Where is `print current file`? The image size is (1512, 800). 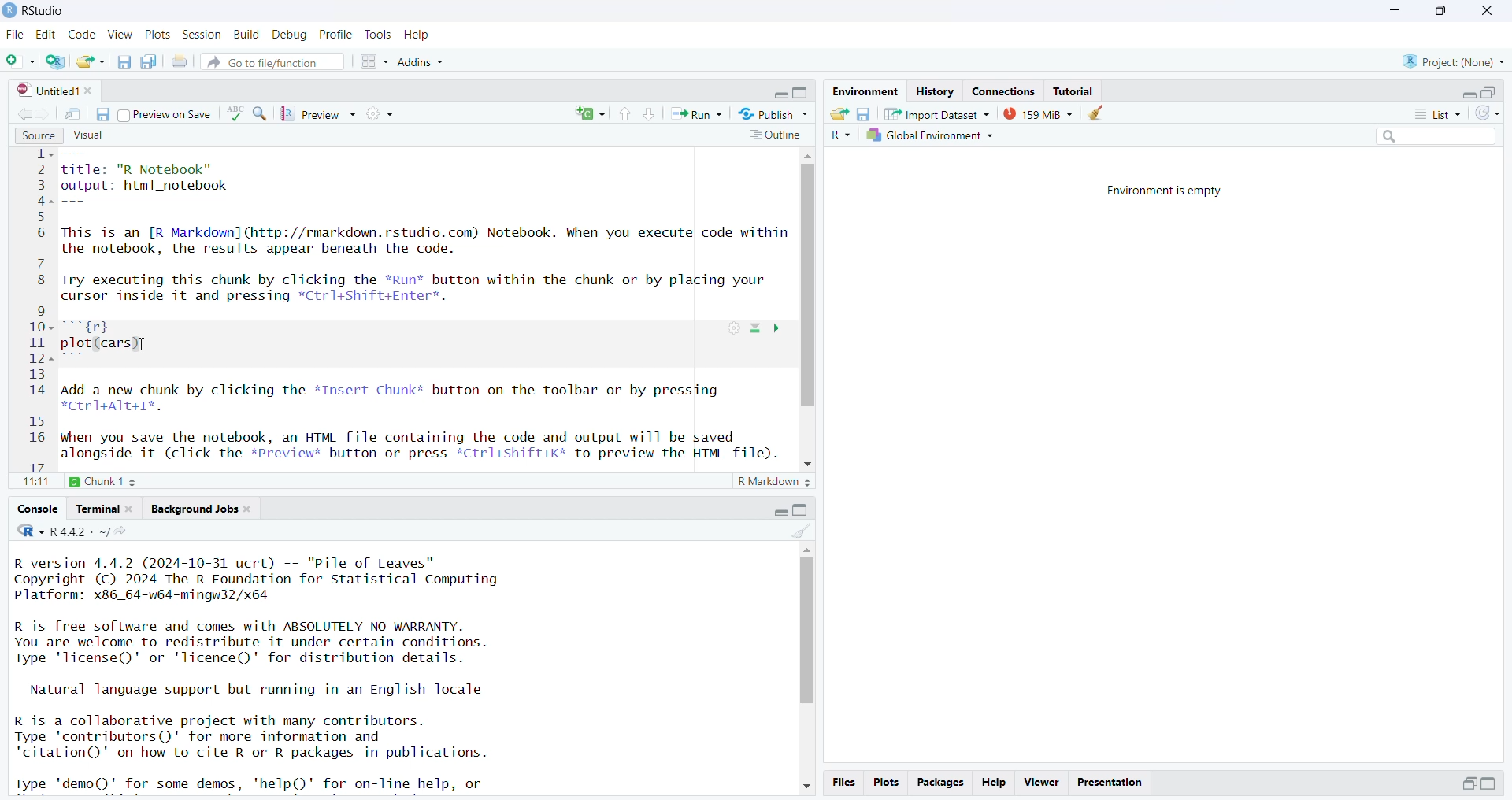
print current file is located at coordinates (180, 63).